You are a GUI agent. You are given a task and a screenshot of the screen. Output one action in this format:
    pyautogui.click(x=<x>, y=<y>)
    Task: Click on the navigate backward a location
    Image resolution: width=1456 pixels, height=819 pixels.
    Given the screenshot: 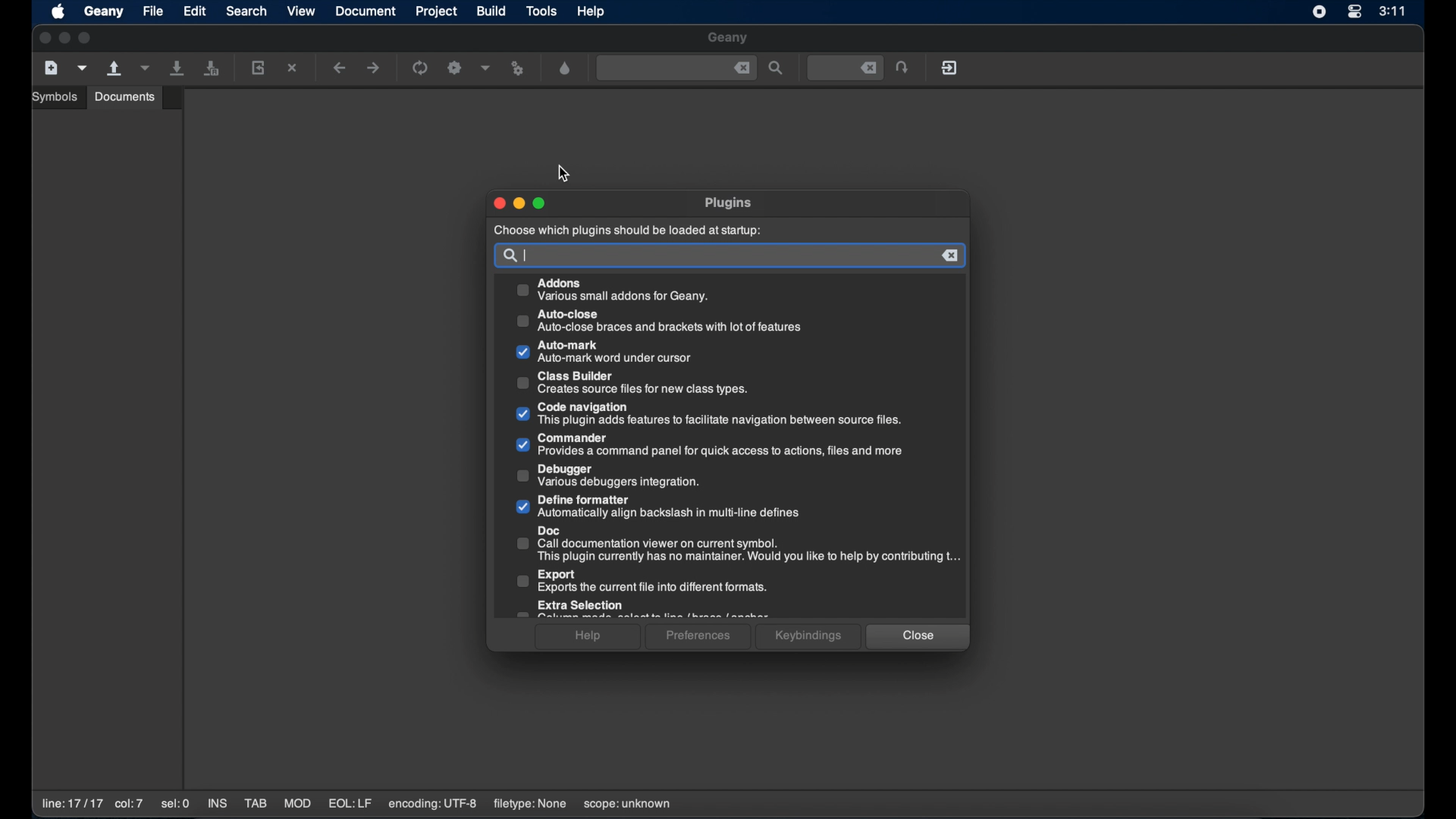 What is the action you would take?
    pyautogui.click(x=340, y=69)
    